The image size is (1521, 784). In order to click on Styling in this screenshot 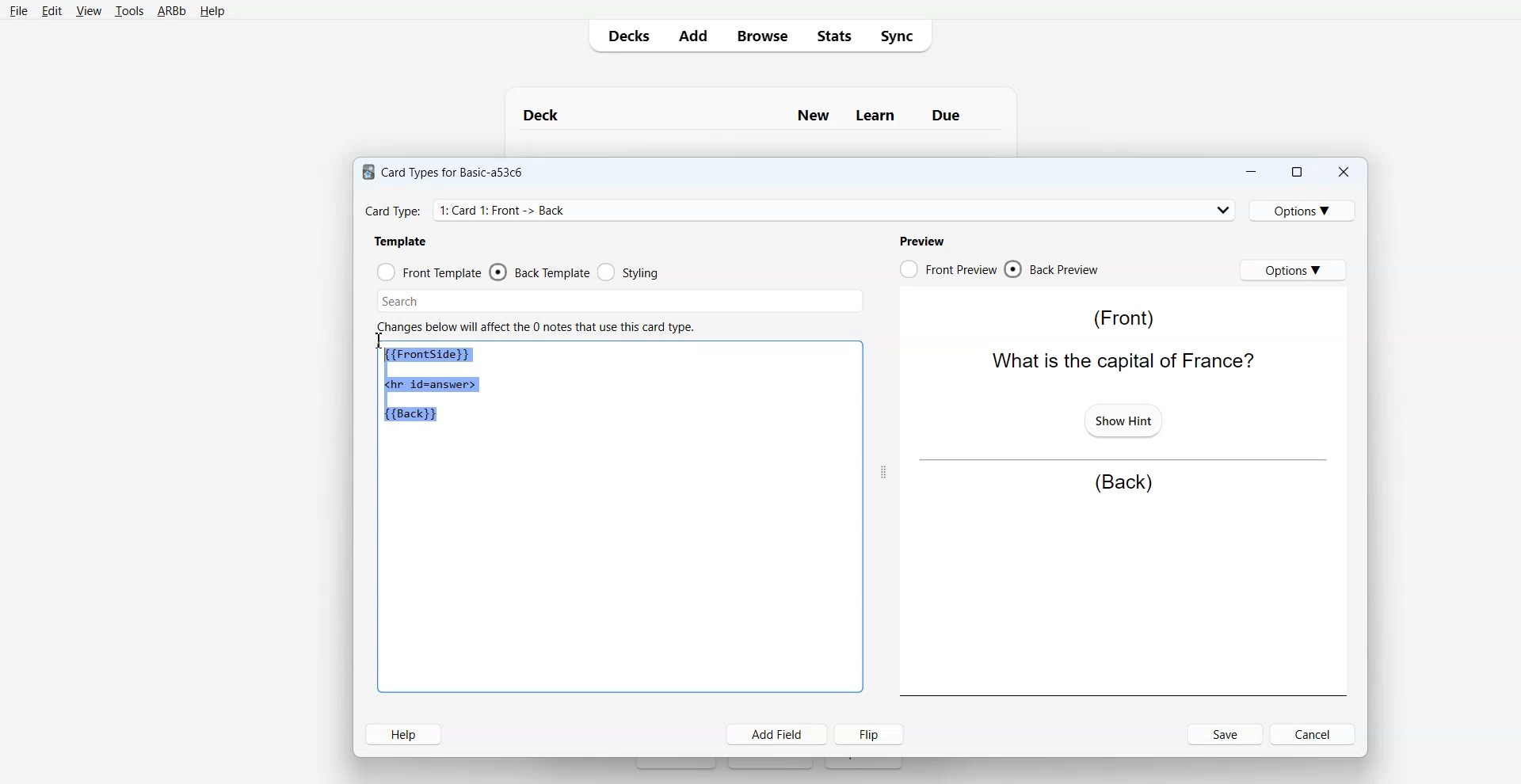, I will do `click(630, 272)`.